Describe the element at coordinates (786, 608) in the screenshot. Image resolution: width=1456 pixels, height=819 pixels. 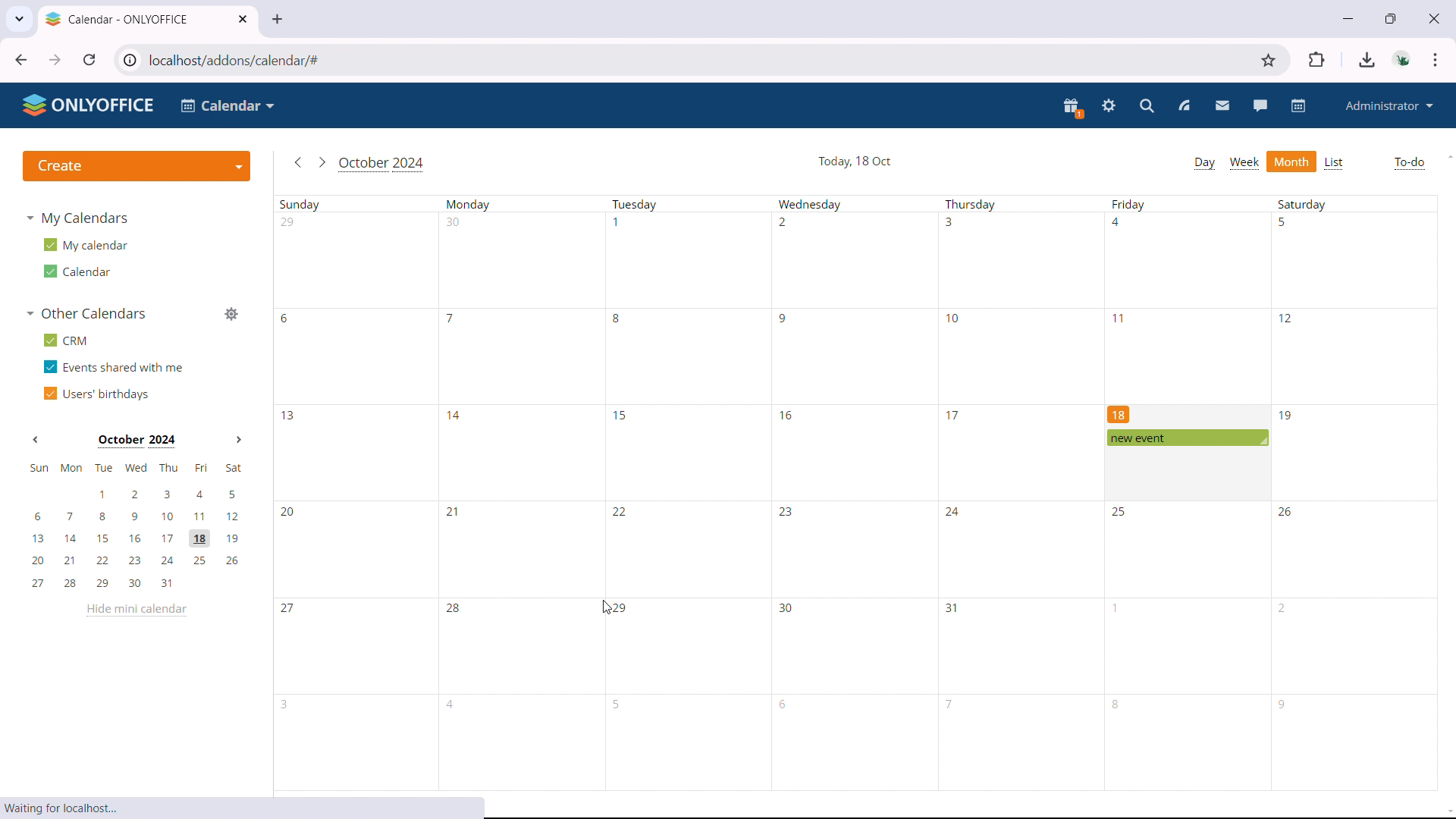
I see `30` at that location.